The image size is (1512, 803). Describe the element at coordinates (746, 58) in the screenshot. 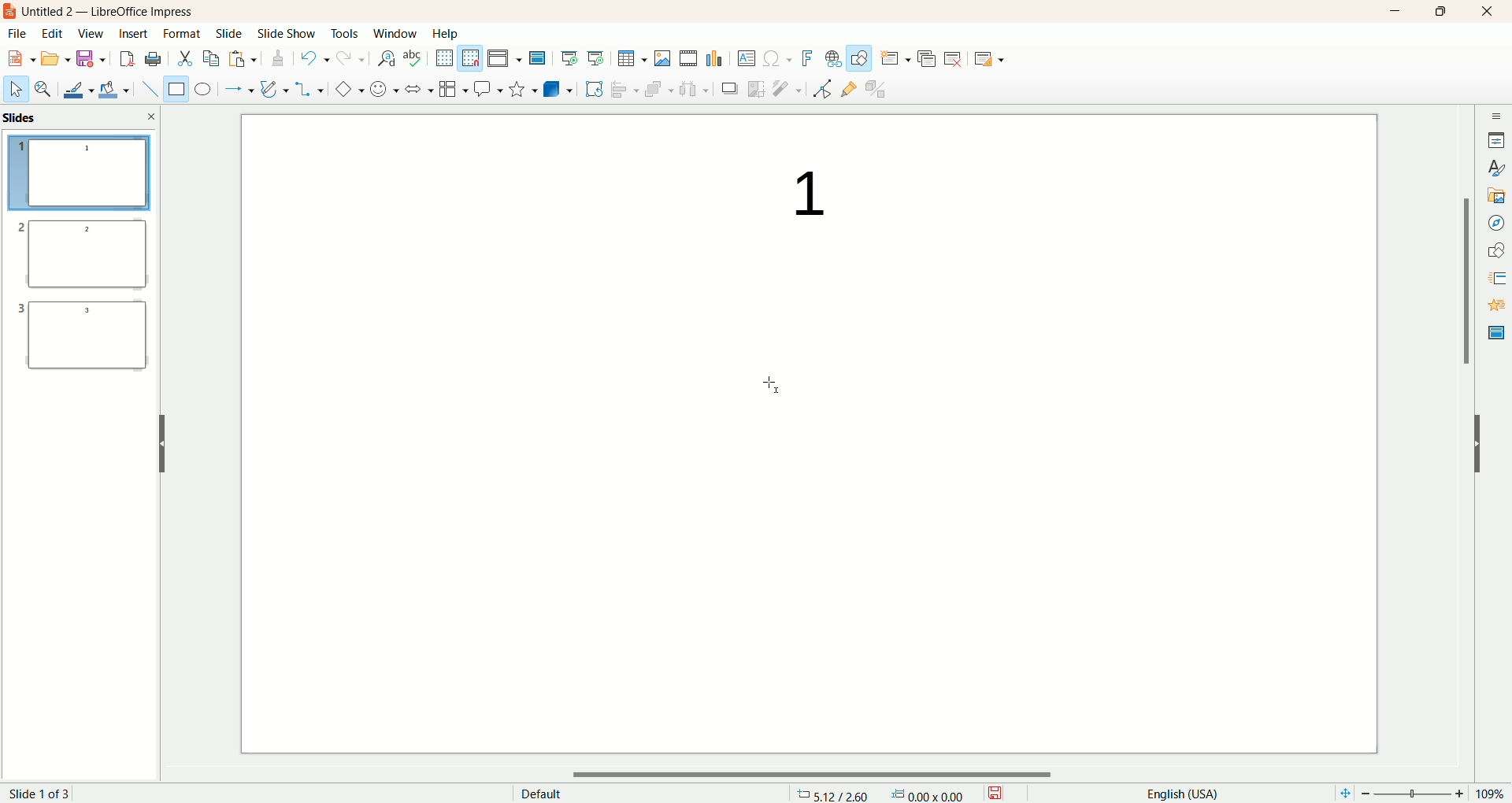

I see `textbox` at that location.